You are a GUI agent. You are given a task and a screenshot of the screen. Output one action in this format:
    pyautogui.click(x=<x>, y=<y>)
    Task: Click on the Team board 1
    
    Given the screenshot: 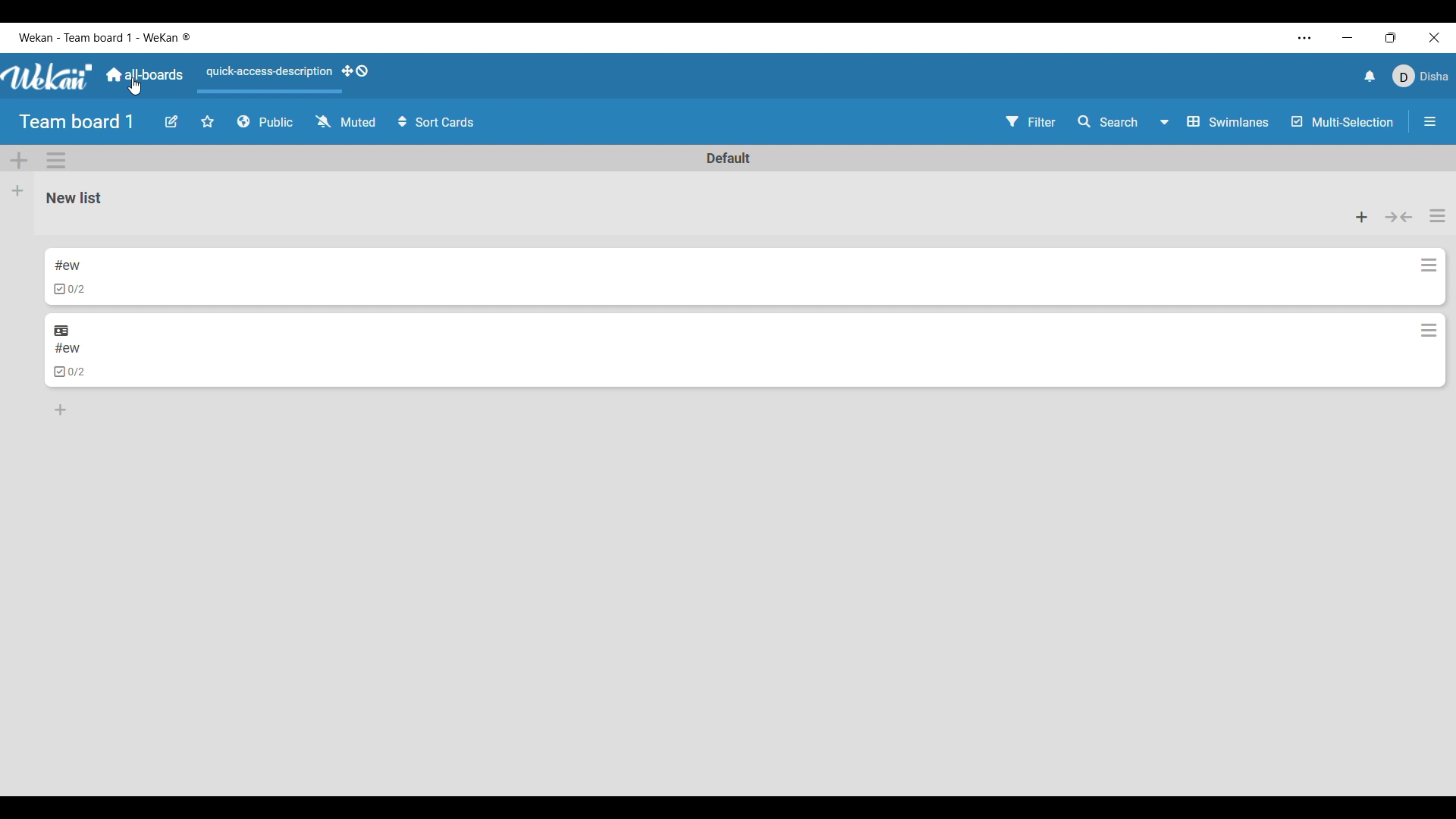 What is the action you would take?
    pyautogui.click(x=79, y=122)
    